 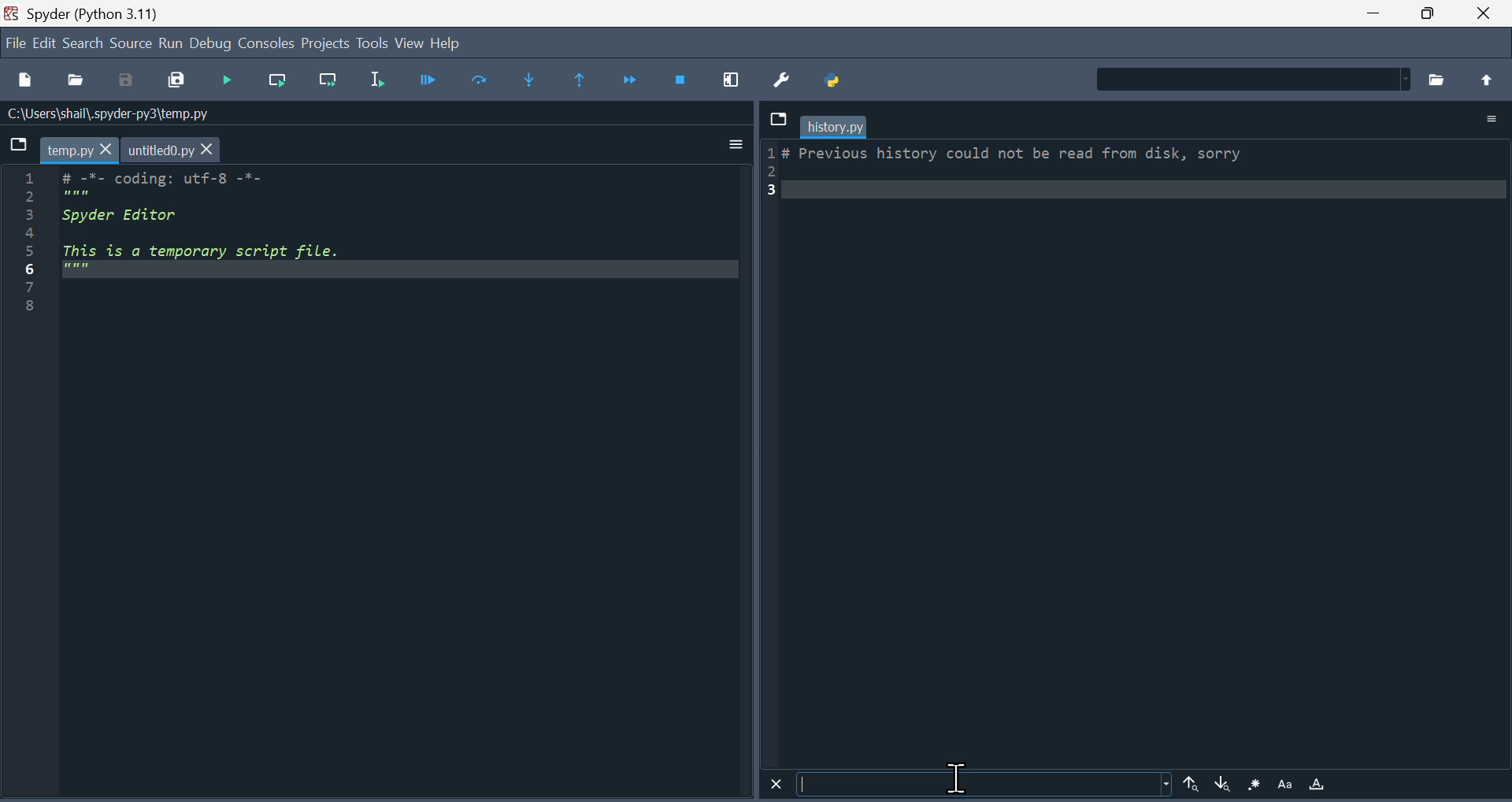 I want to click on Save all, so click(x=181, y=79).